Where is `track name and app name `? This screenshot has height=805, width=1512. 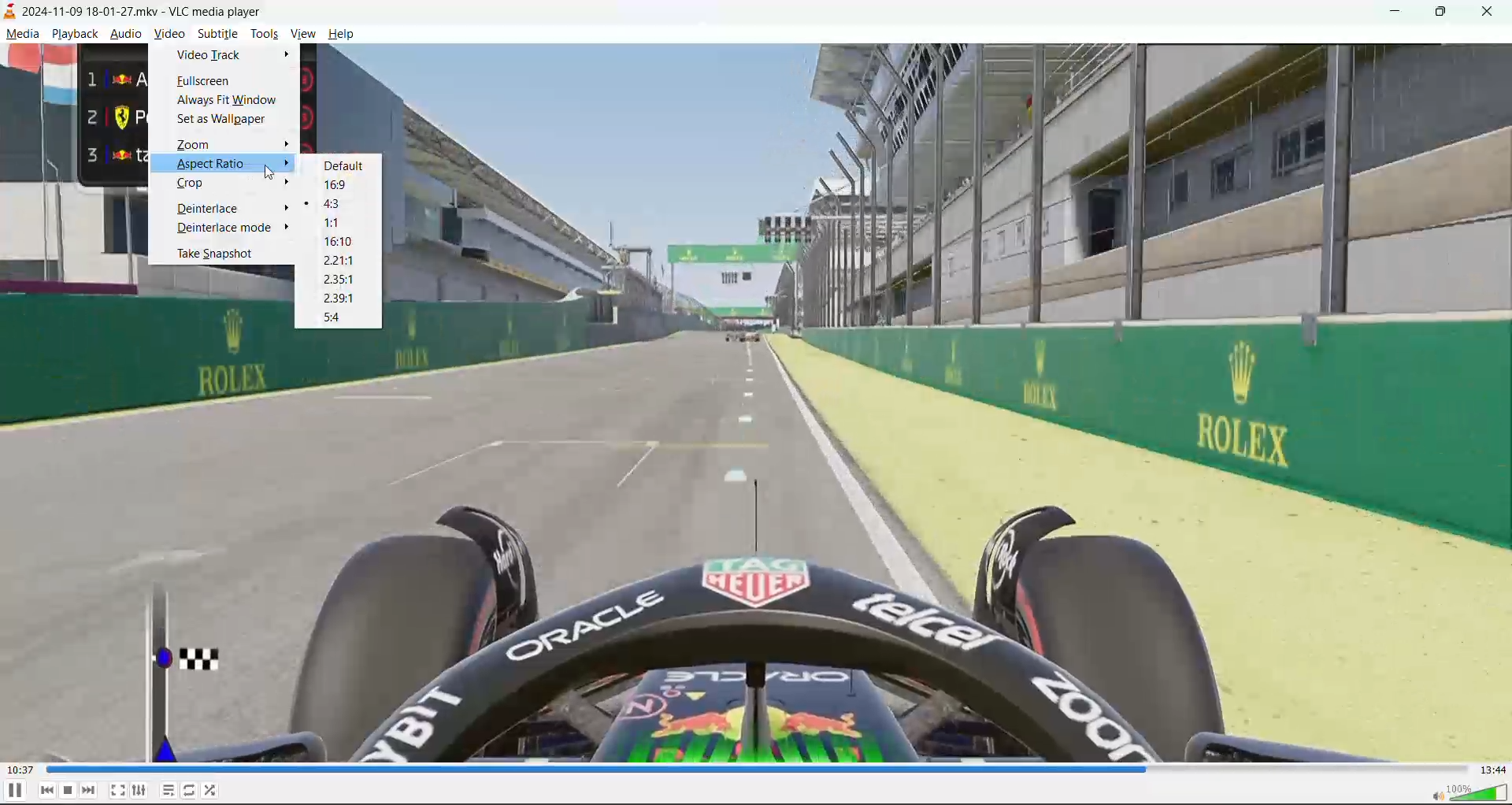 track name and app name  is located at coordinates (129, 13).